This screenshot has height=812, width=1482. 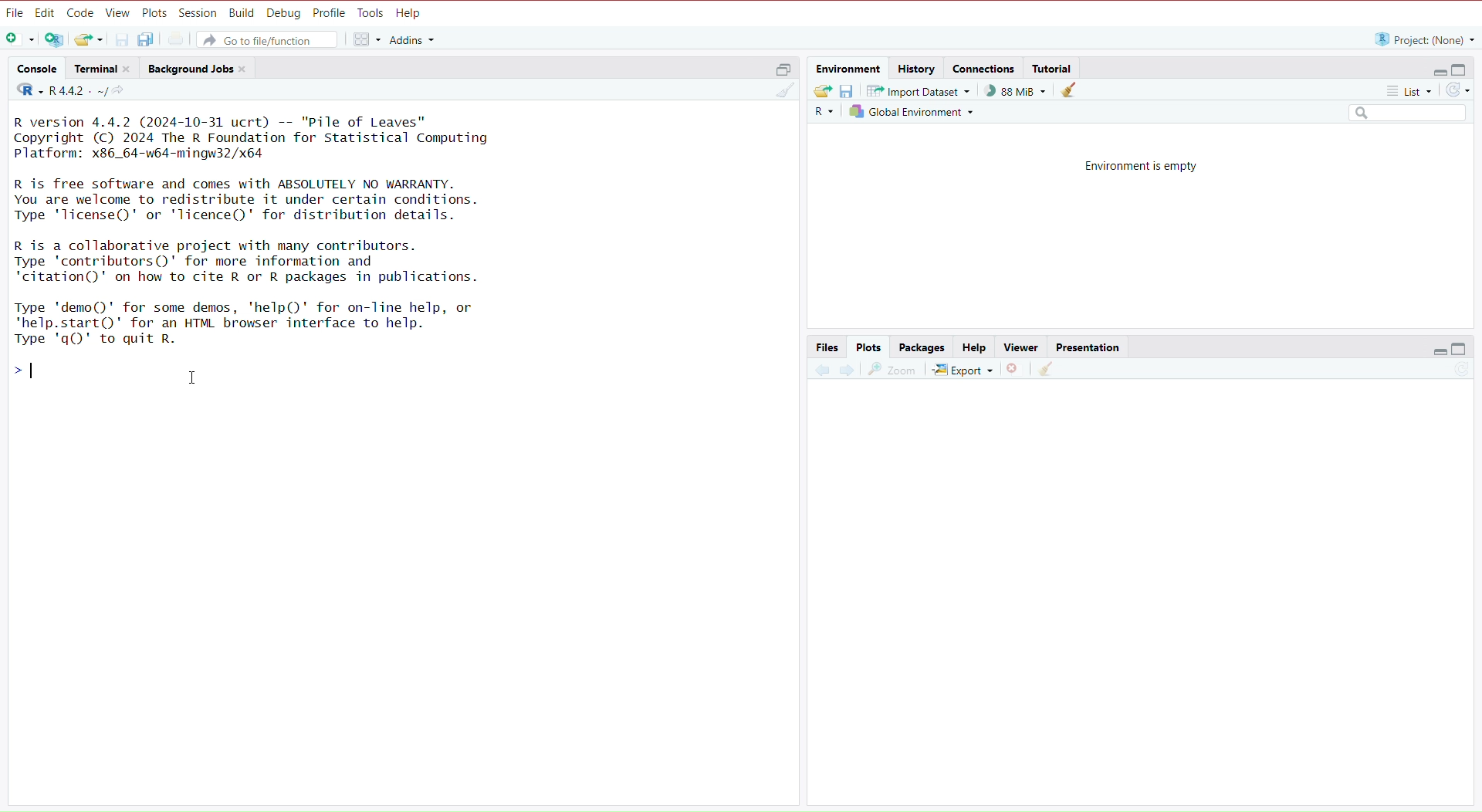 I want to click on Save all open files, so click(x=145, y=40).